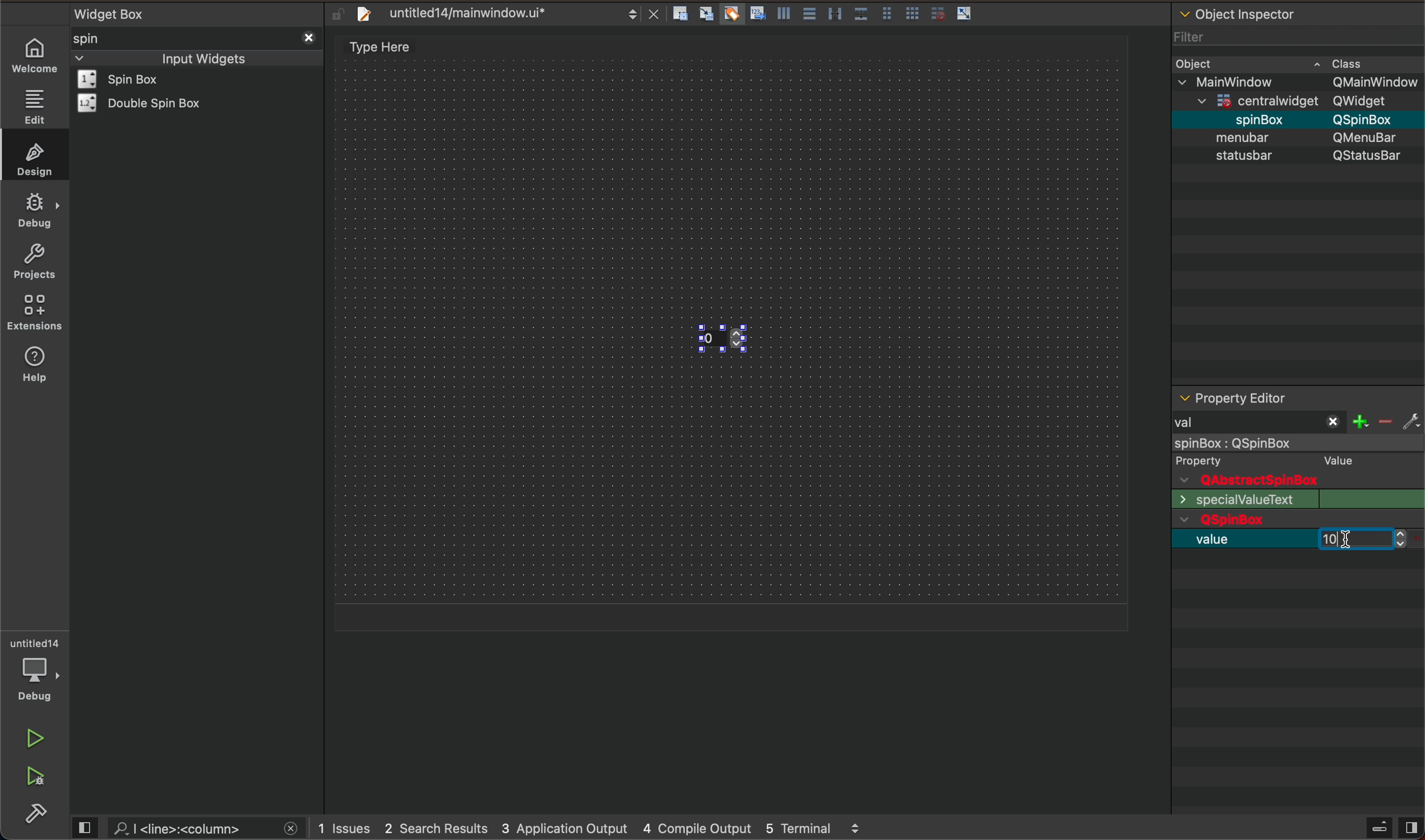 The height and width of the screenshot is (840, 1425). Describe the element at coordinates (1235, 157) in the screenshot. I see `text` at that location.